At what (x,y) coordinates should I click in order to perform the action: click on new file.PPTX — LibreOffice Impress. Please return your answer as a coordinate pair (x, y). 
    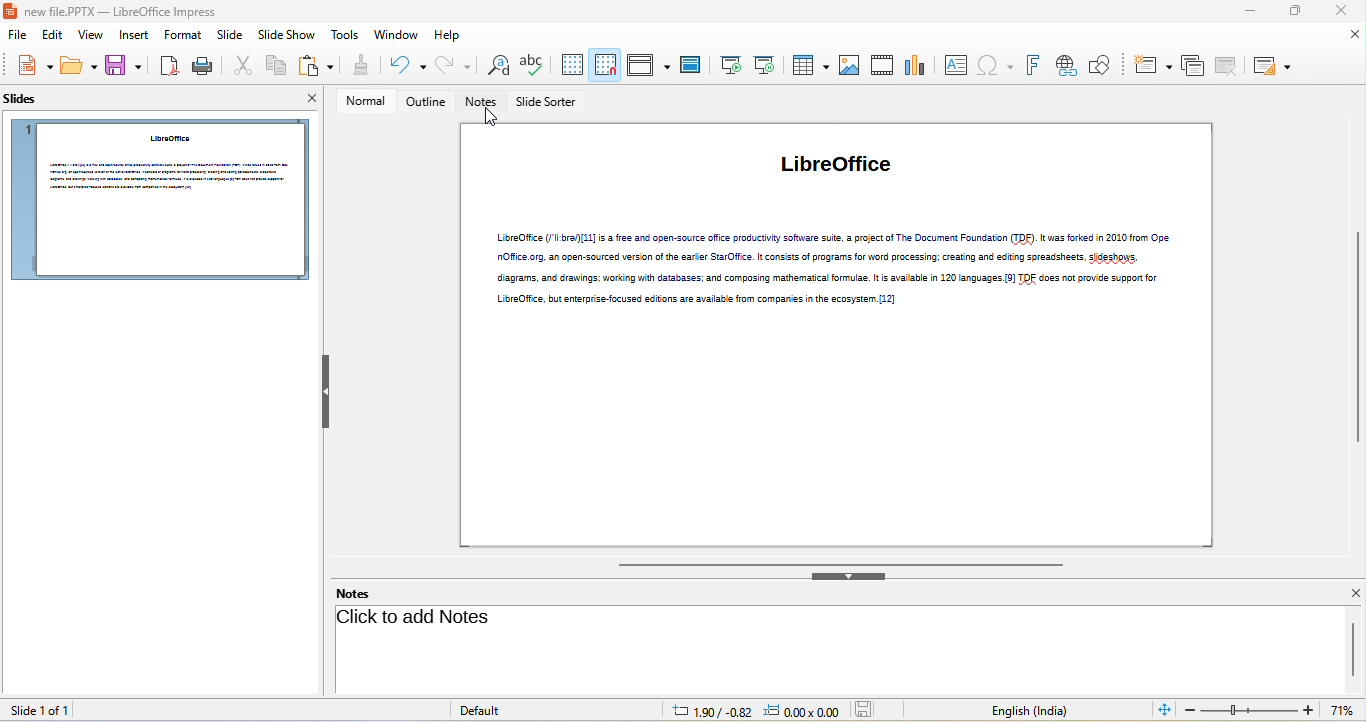
    Looking at the image, I should click on (116, 11).